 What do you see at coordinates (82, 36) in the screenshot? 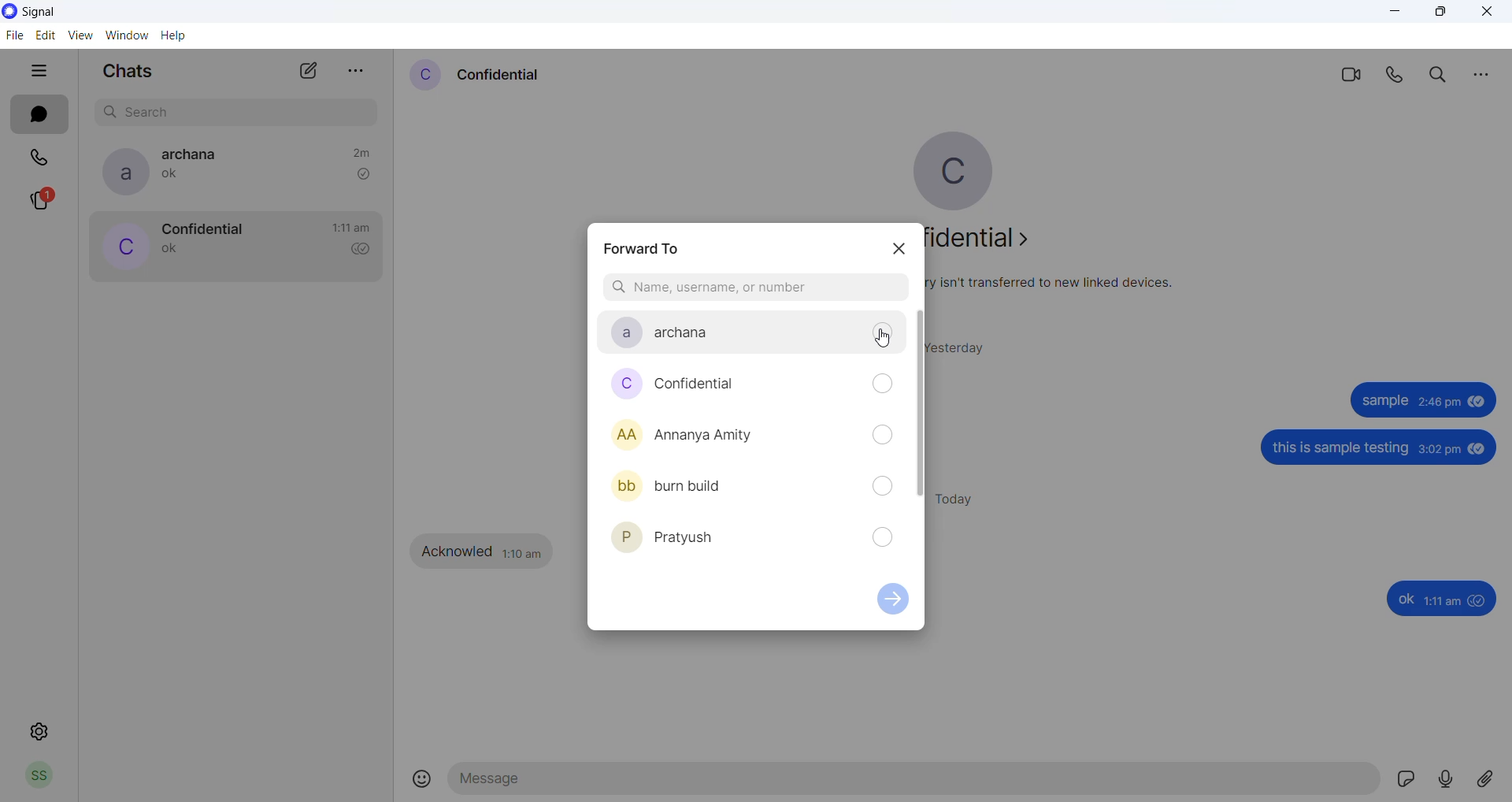
I see `view` at bounding box center [82, 36].